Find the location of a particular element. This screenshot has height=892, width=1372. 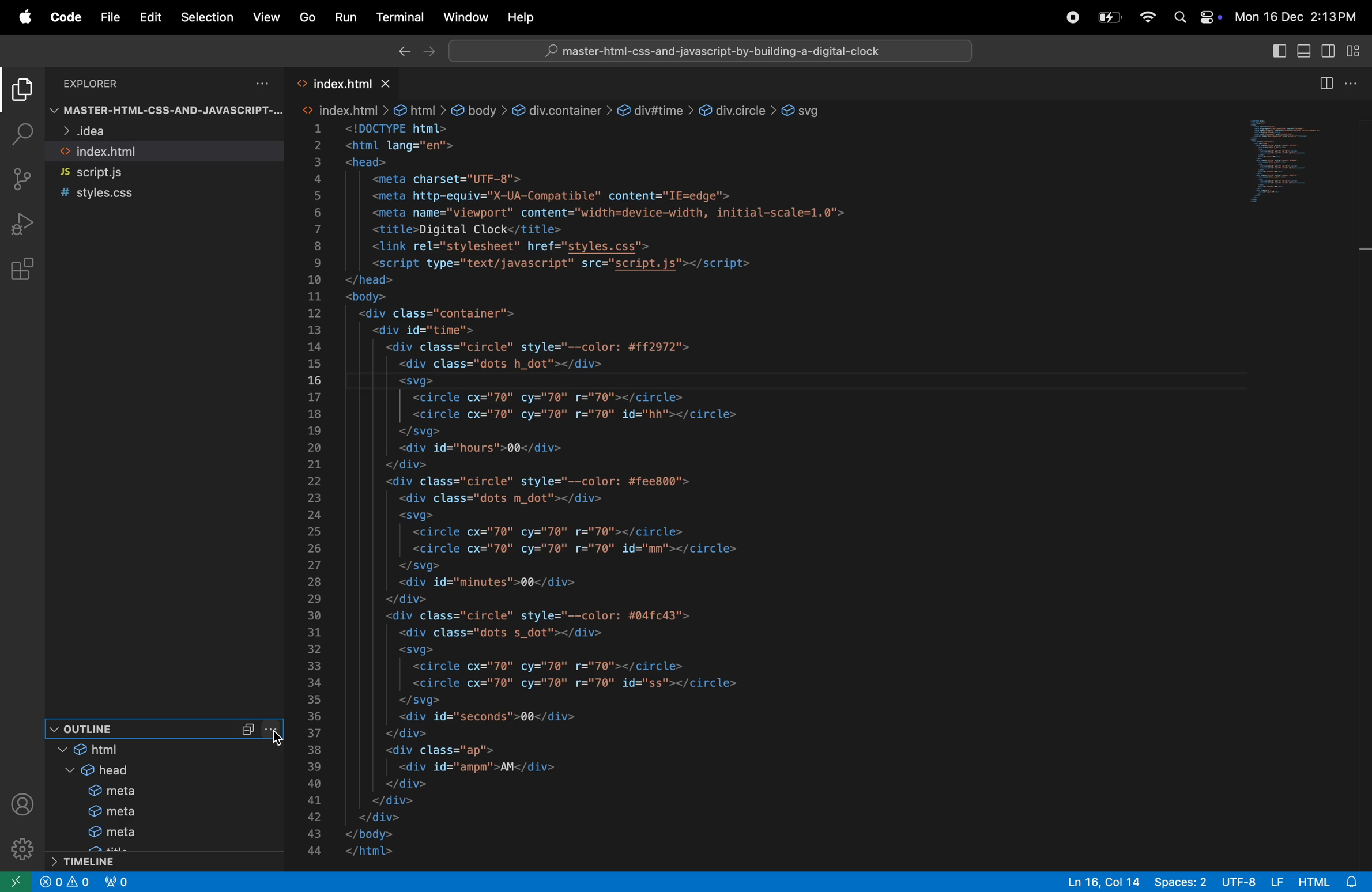

time line is located at coordinates (133, 860).